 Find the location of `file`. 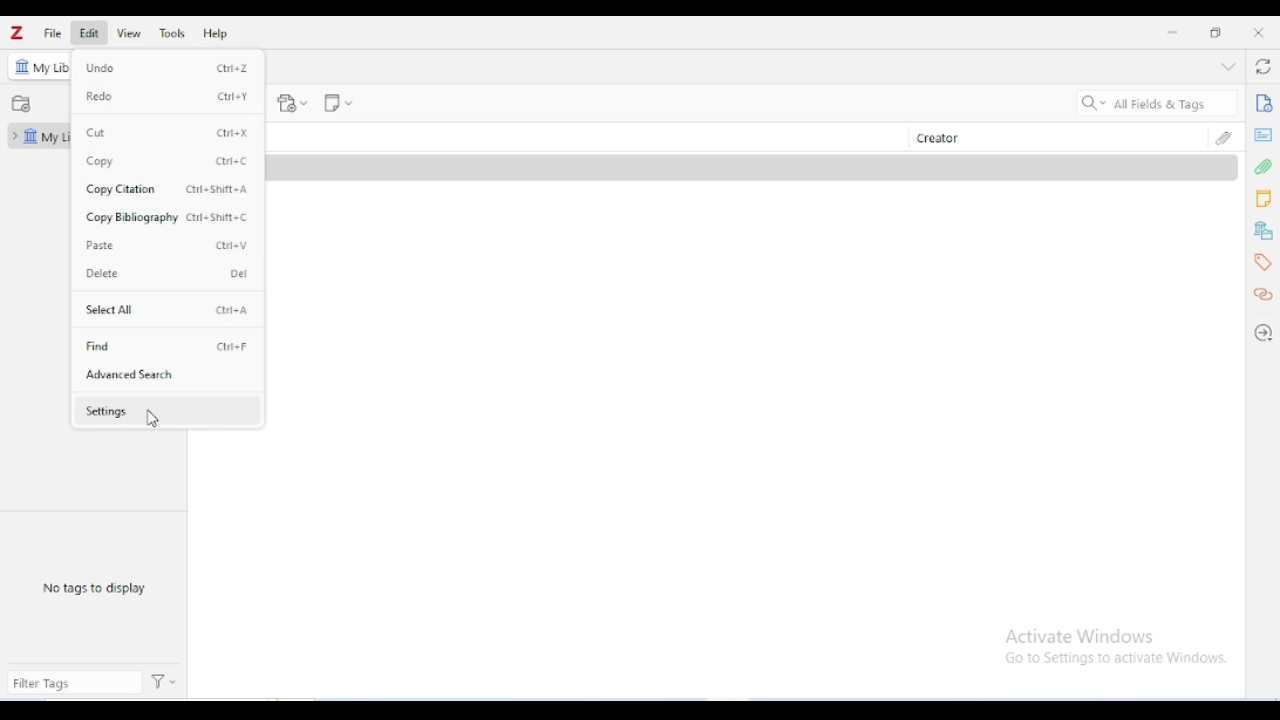

file is located at coordinates (52, 34).